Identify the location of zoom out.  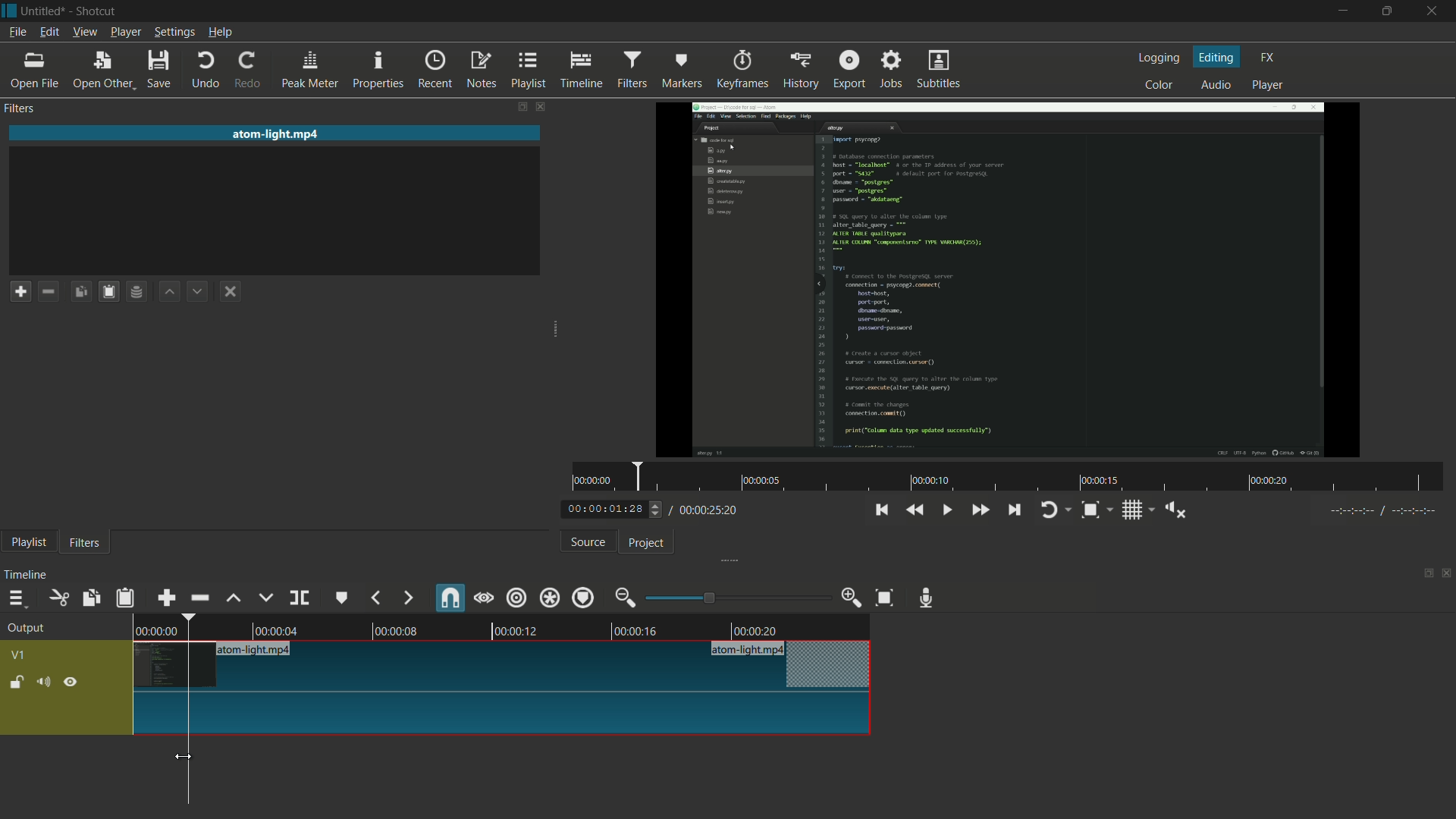
(627, 598).